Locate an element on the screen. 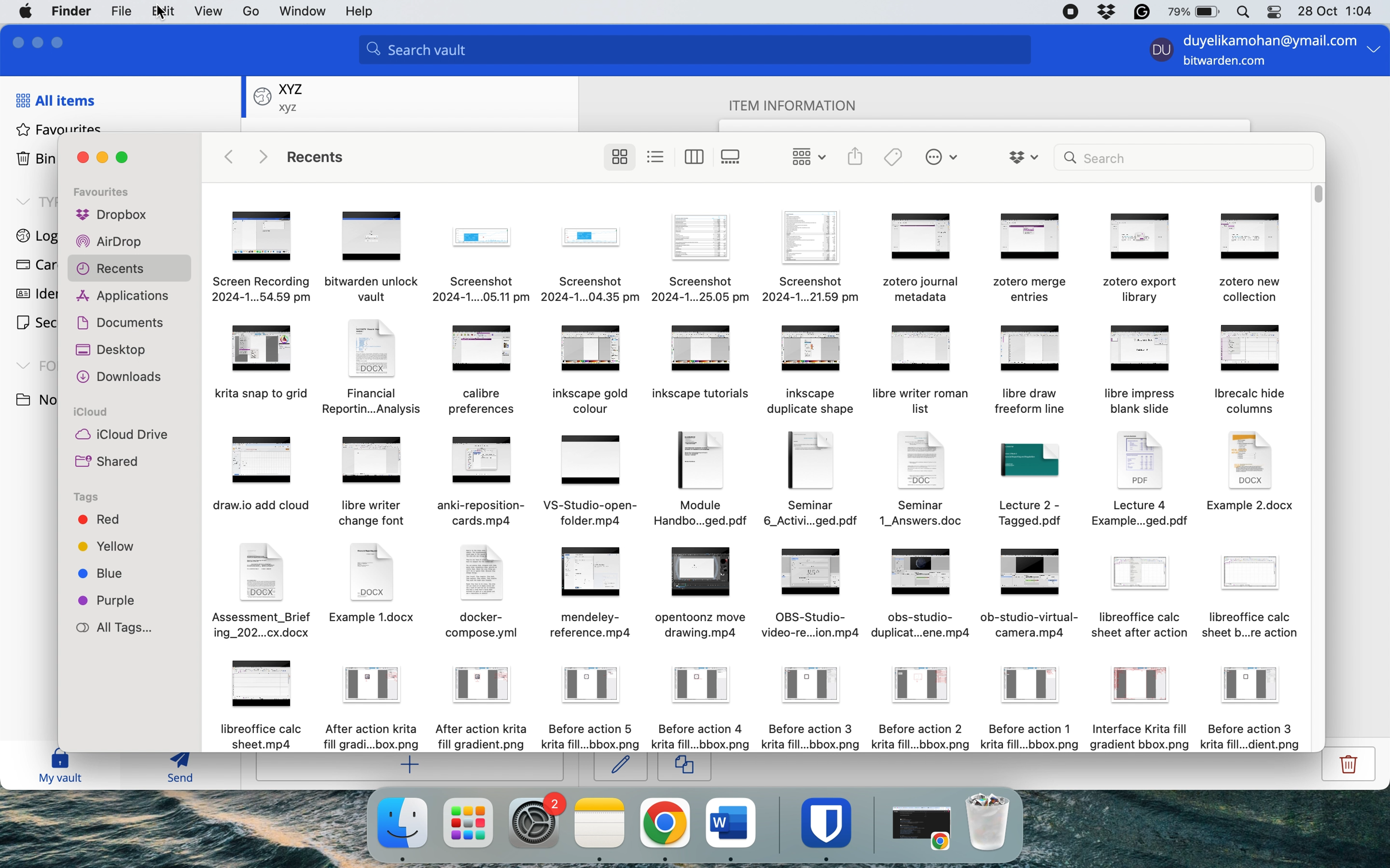 This screenshot has height=868, width=1390. edit is located at coordinates (159, 13).